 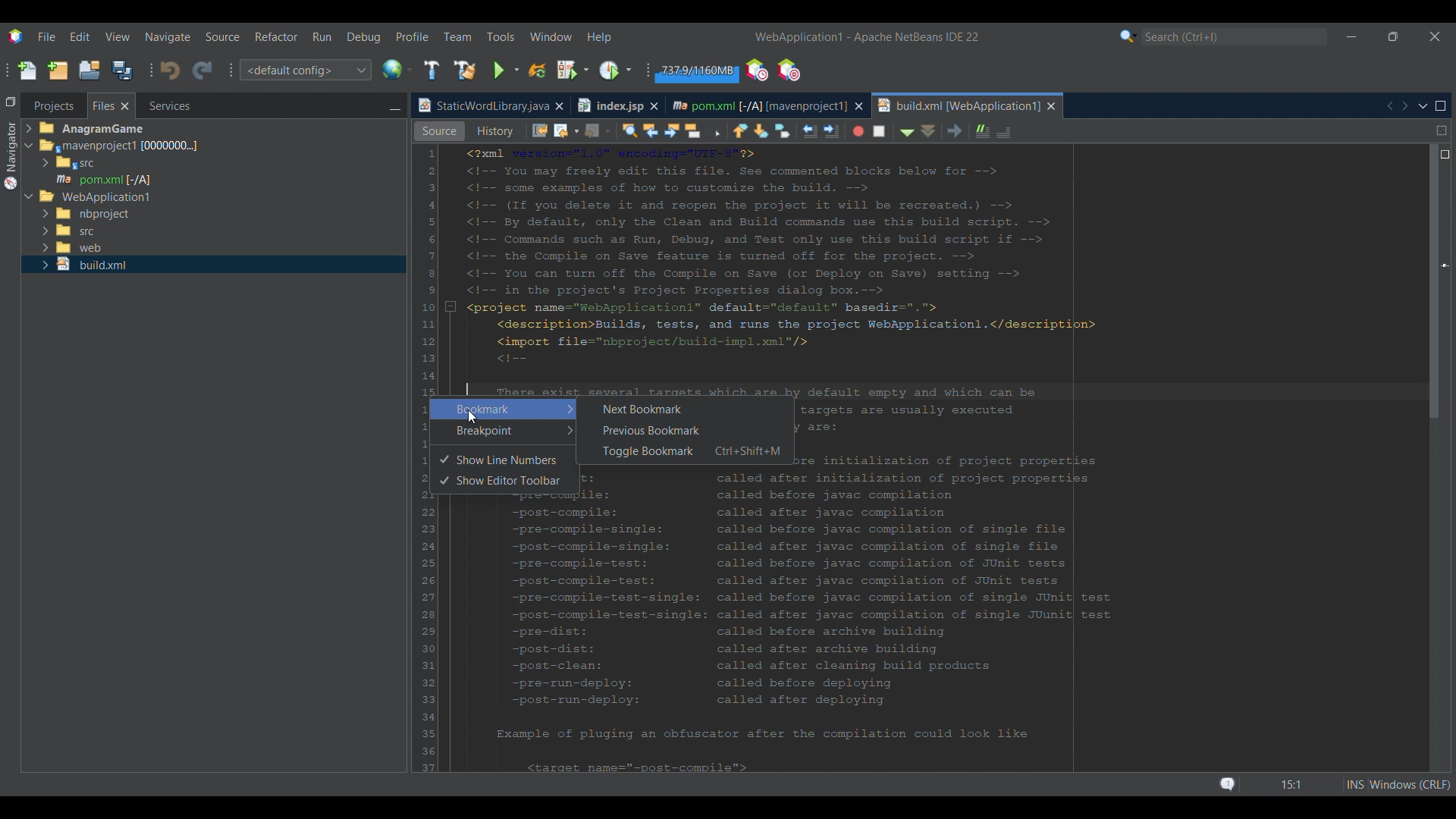 What do you see at coordinates (934, 457) in the screenshot?
I see `Code in current tab` at bounding box center [934, 457].